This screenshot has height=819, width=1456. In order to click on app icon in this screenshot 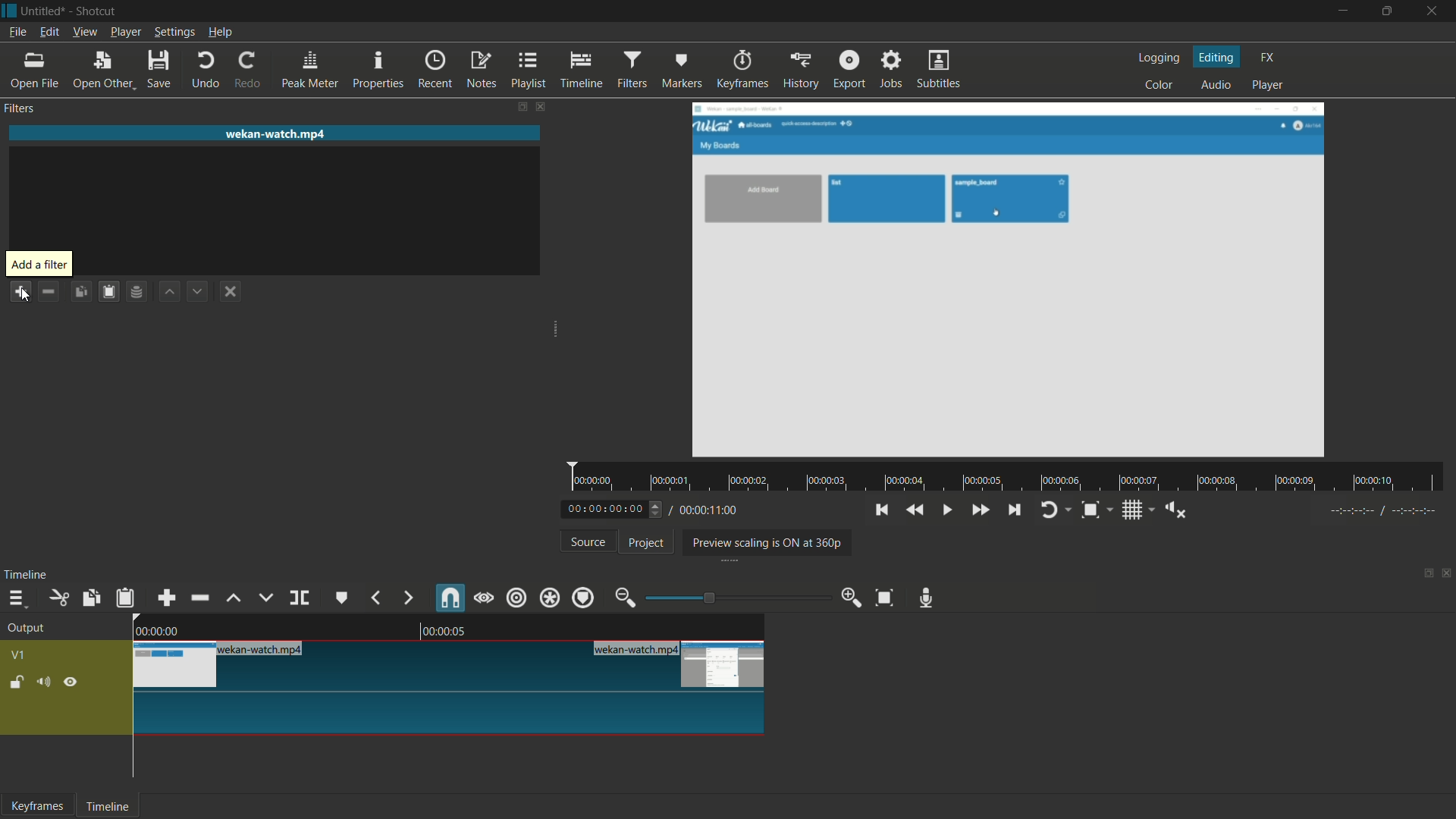, I will do `click(9, 11)`.